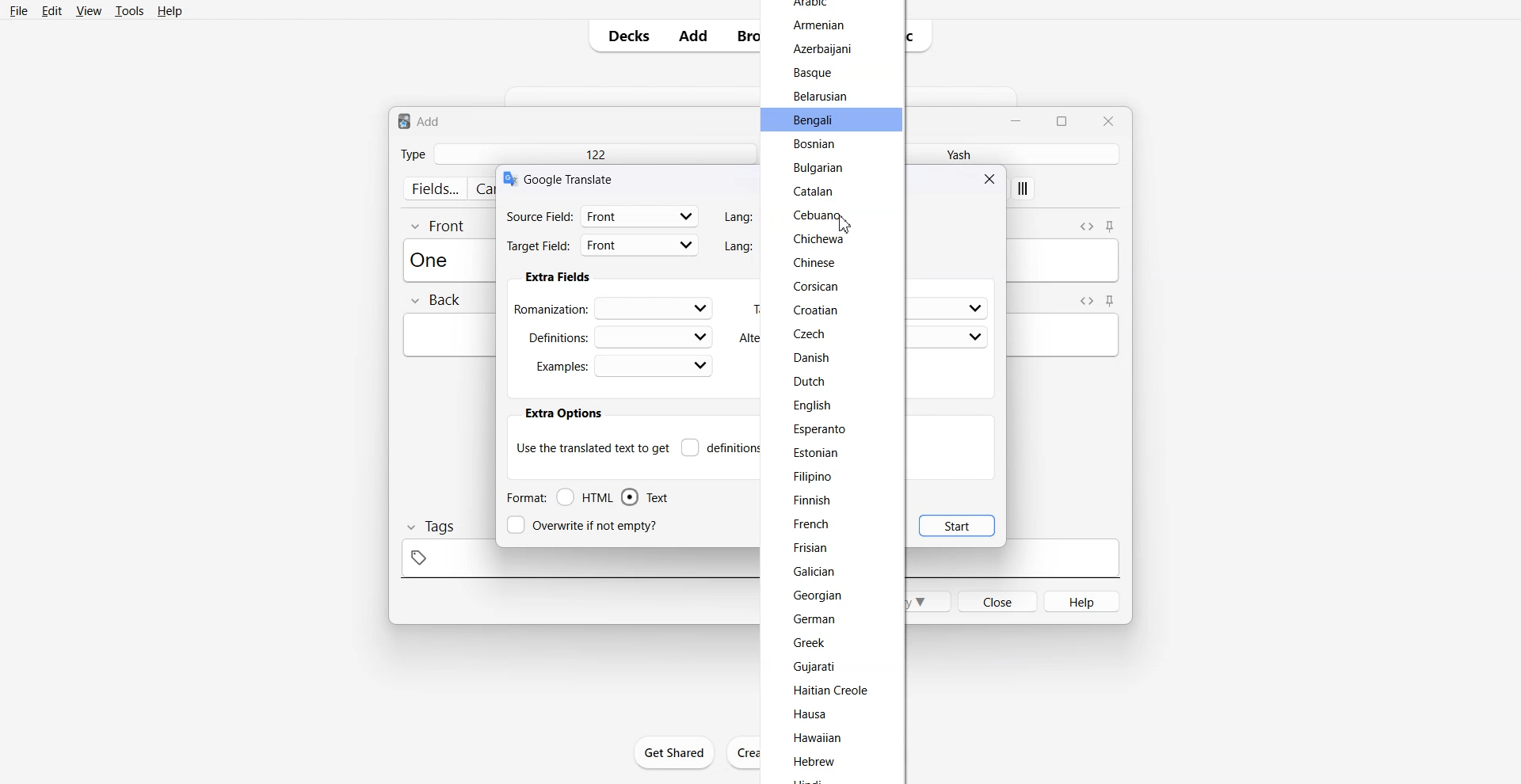 The image size is (1521, 784). I want to click on Add, so click(693, 36).